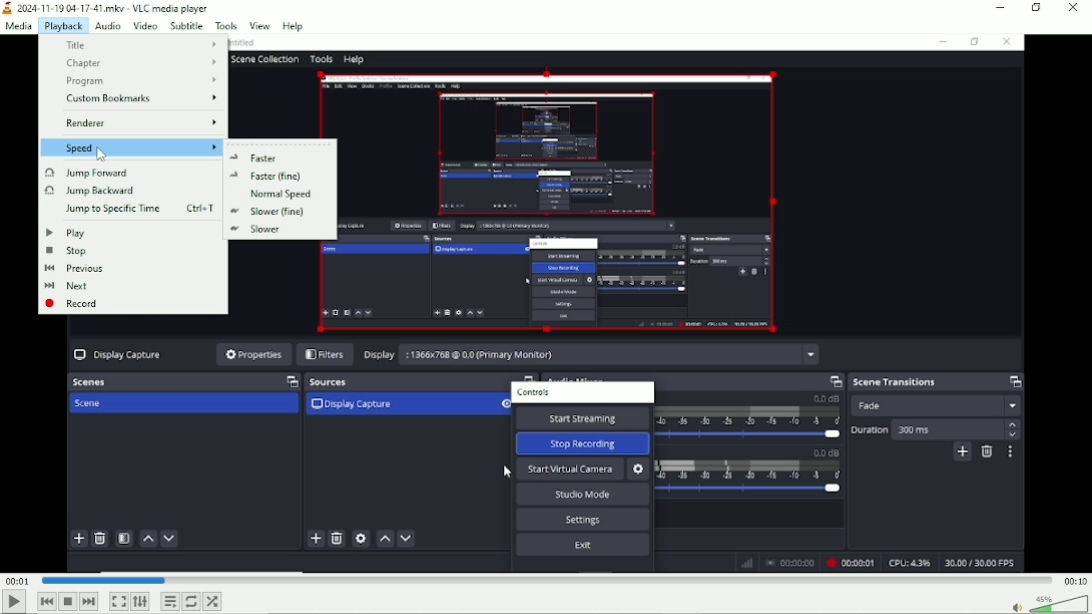 The width and height of the screenshot is (1092, 614). Describe the element at coordinates (995, 8) in the screenshot. I see `minimize` at that location.